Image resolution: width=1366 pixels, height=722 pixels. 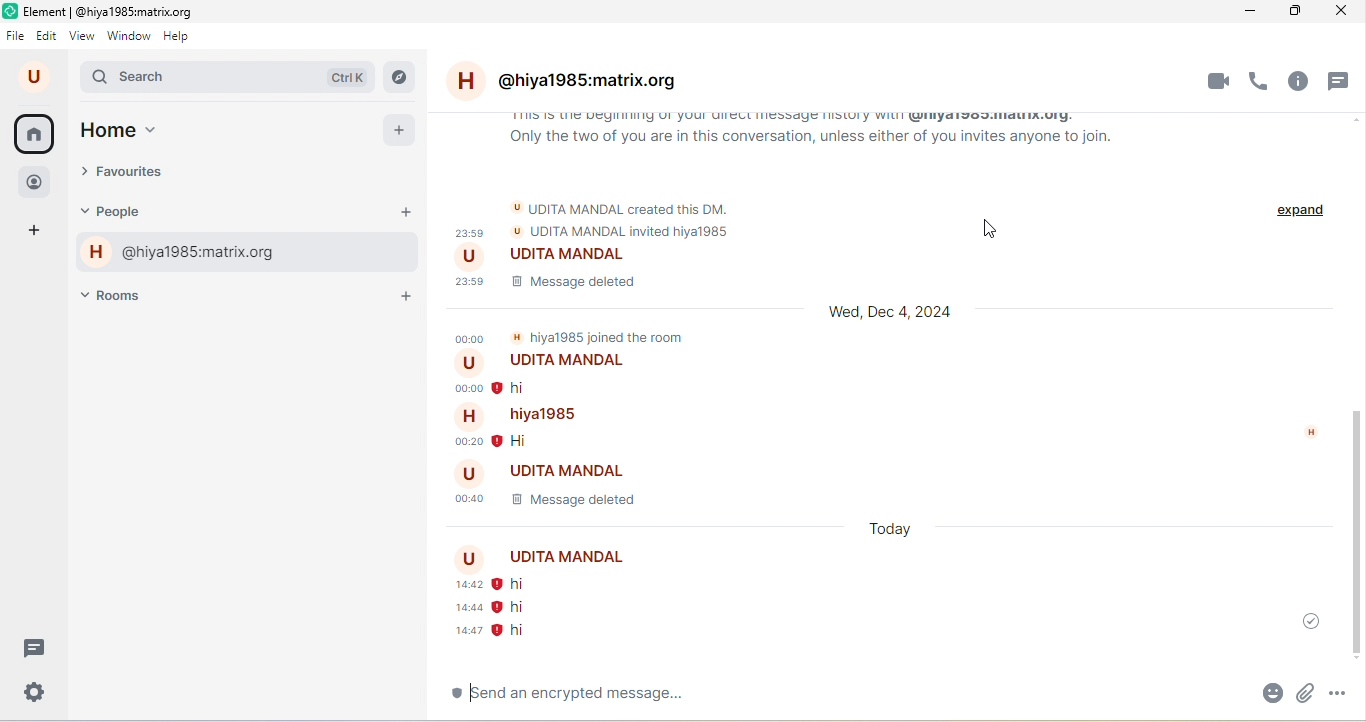 I want to click on vertical scroll bar, so click(x=1354, y=532).